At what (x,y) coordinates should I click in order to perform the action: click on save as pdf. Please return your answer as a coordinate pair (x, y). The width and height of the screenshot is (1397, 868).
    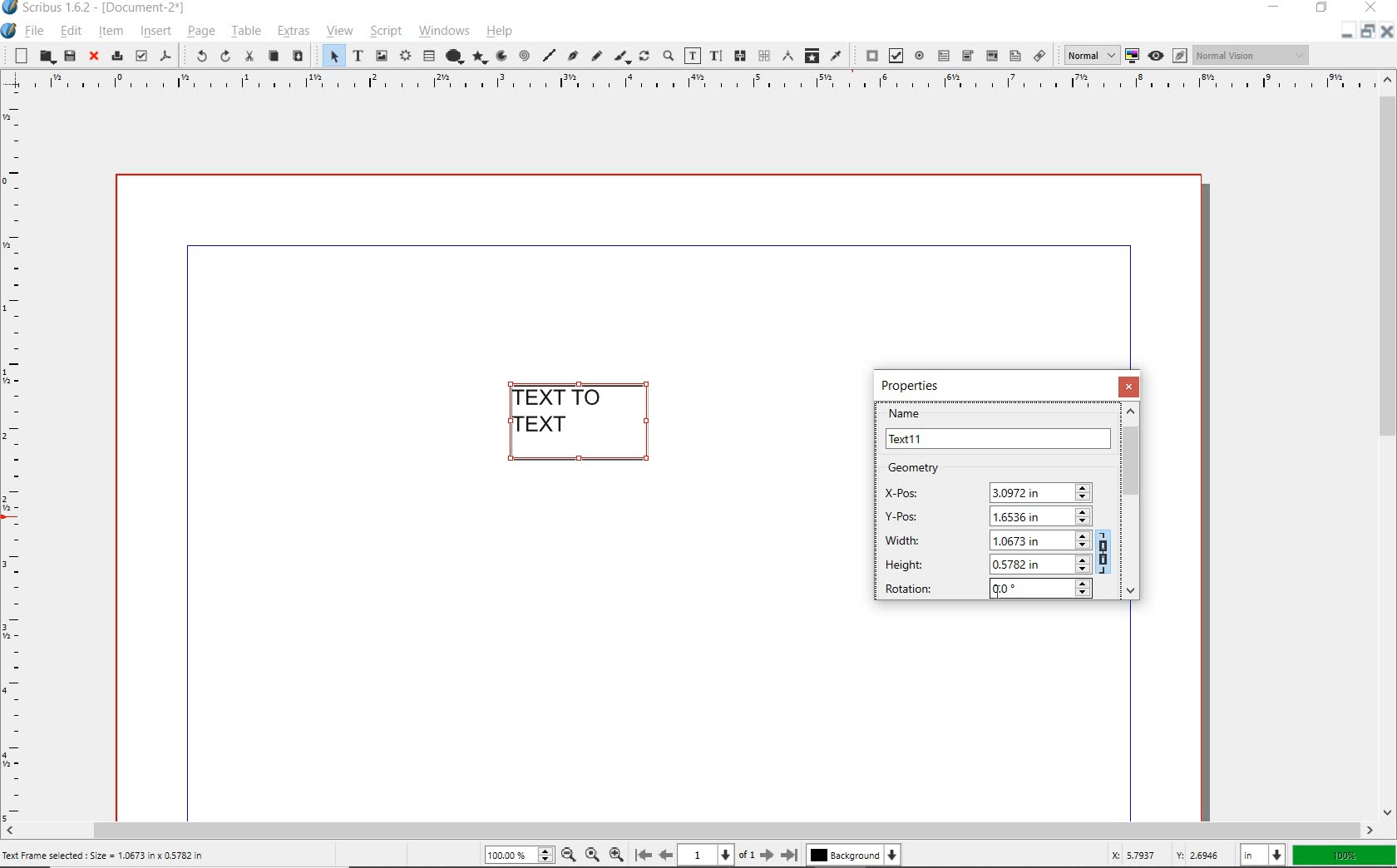
    Looking at the image, I should click on (165, 57).